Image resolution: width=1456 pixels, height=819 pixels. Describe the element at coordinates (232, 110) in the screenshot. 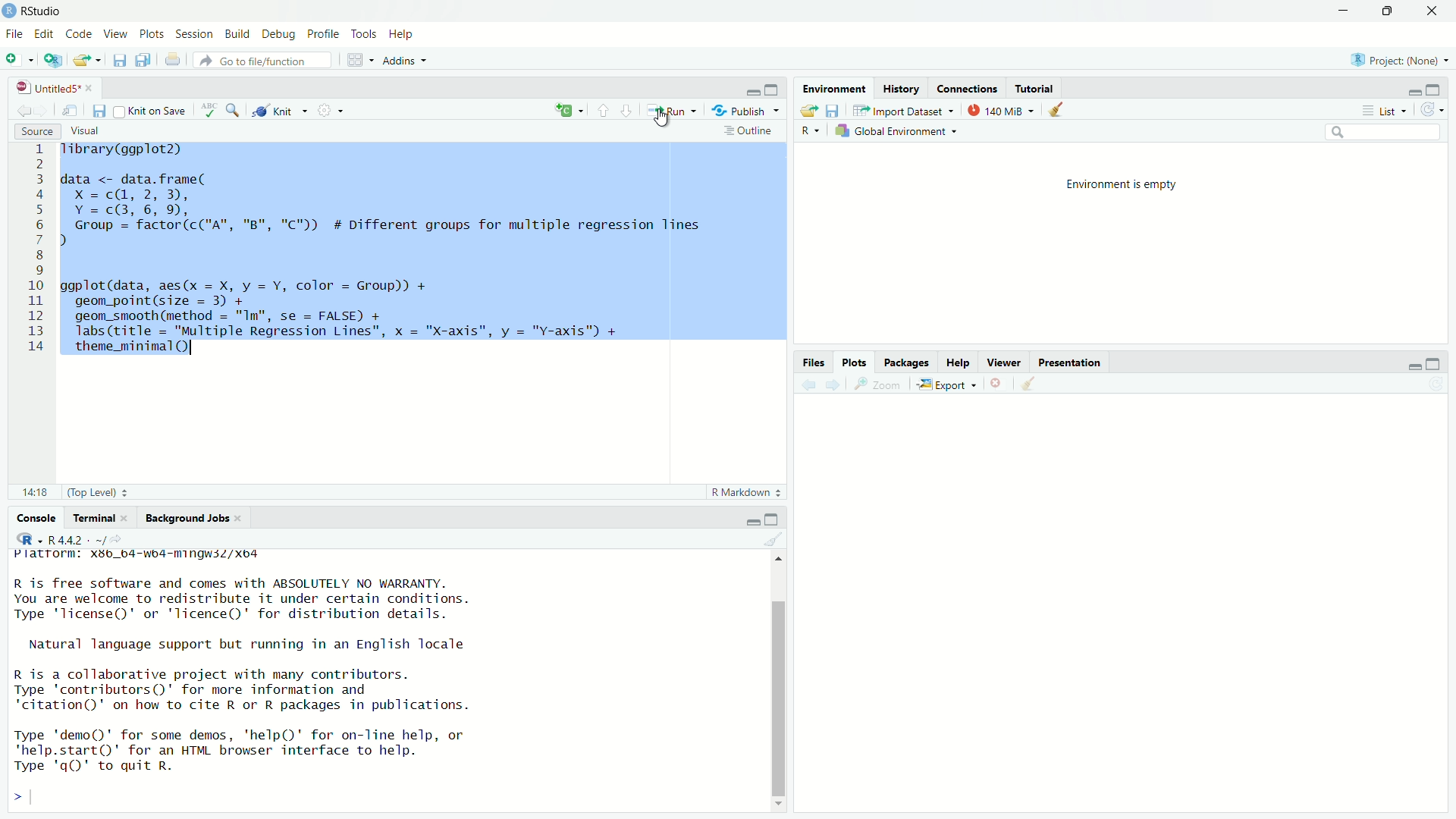

I see `zoom` at that location.